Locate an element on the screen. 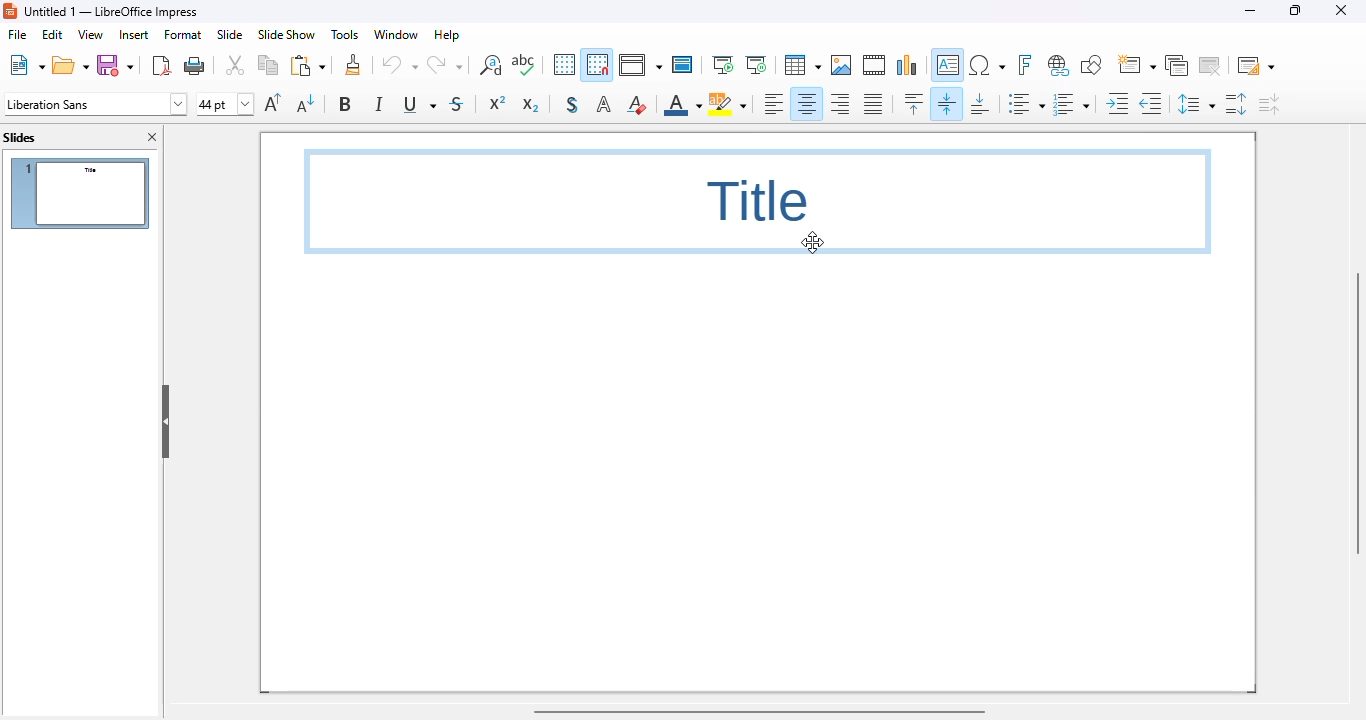 This screenshot has width=1366, height=720. hide is located at coordinates (166, 421).